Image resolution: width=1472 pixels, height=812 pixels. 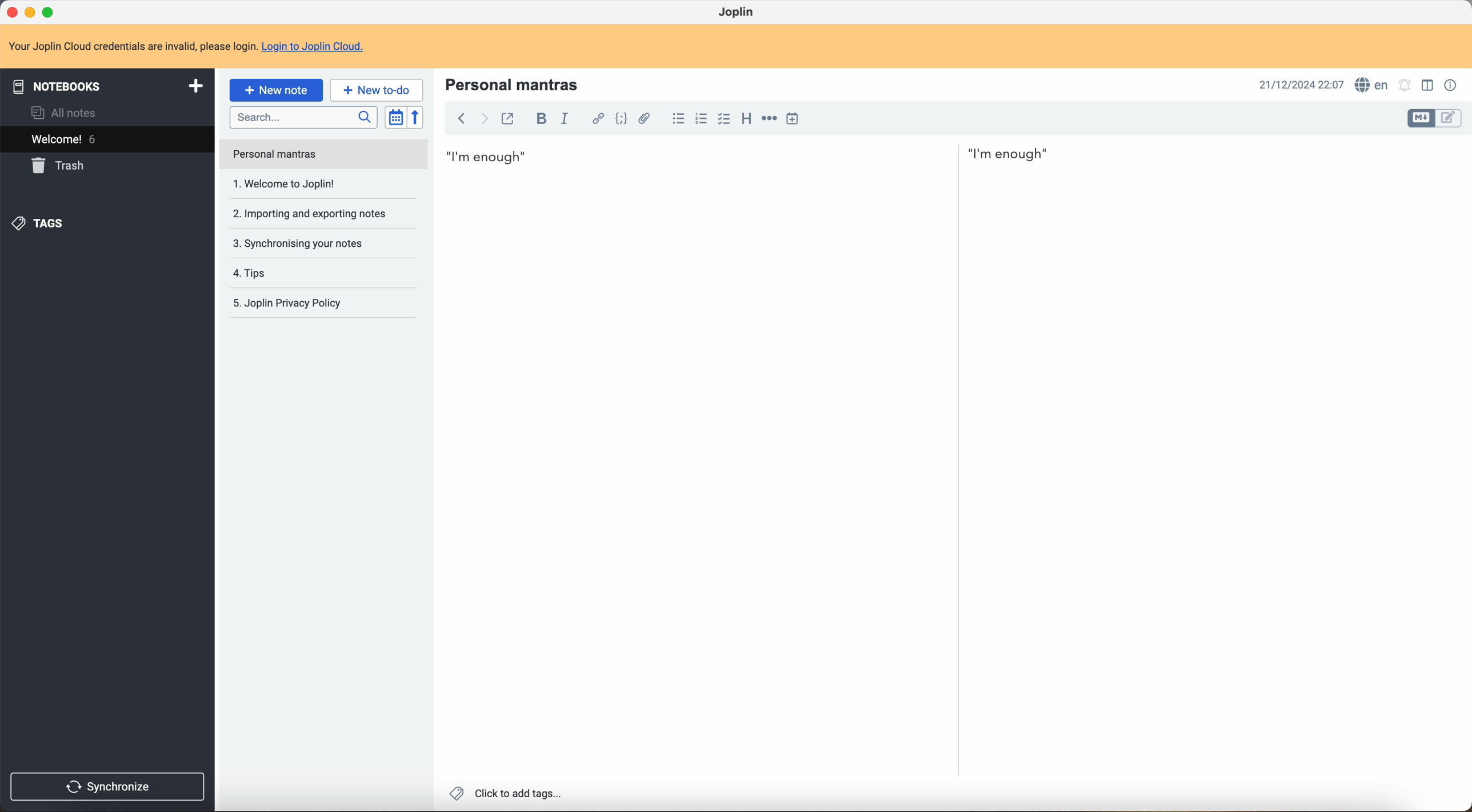 What do you see at coordinates (62, 113) in the screenshot?
I see `all notes` at bounding box center [62, 113].